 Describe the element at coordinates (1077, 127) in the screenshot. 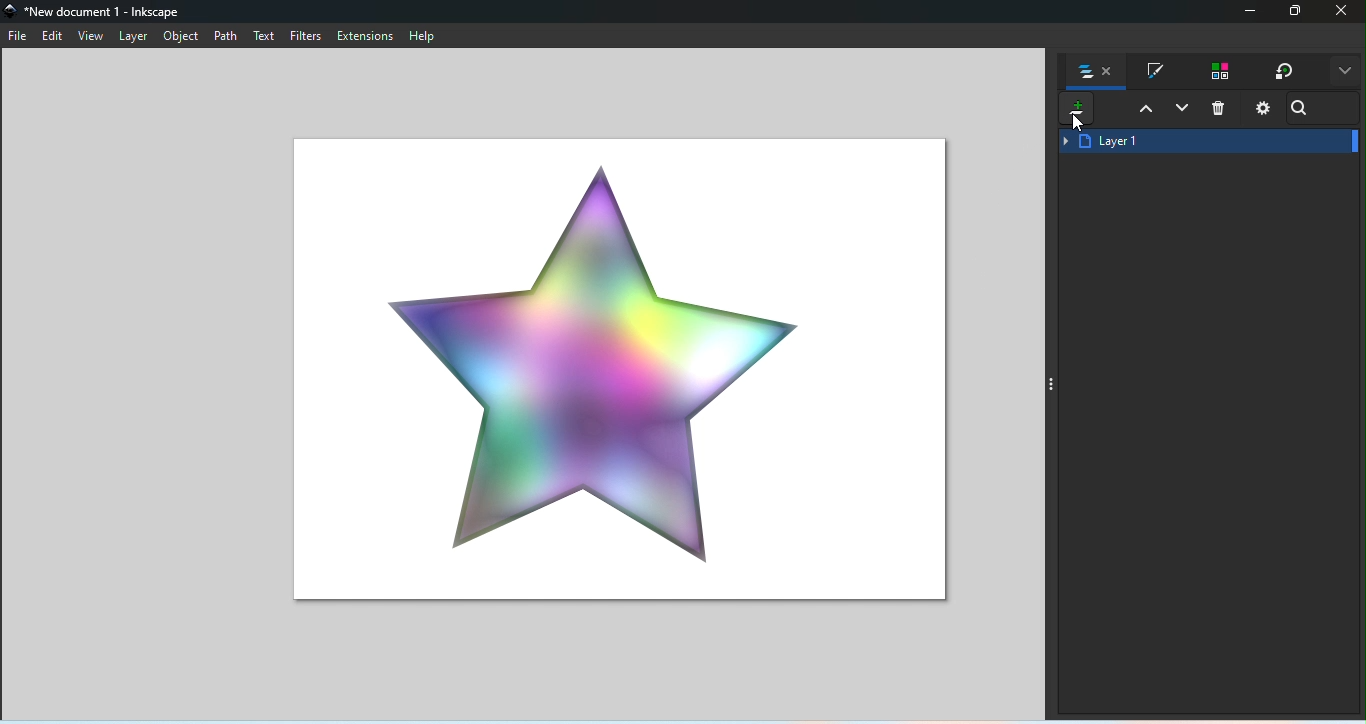

I see `cursor` at that location.